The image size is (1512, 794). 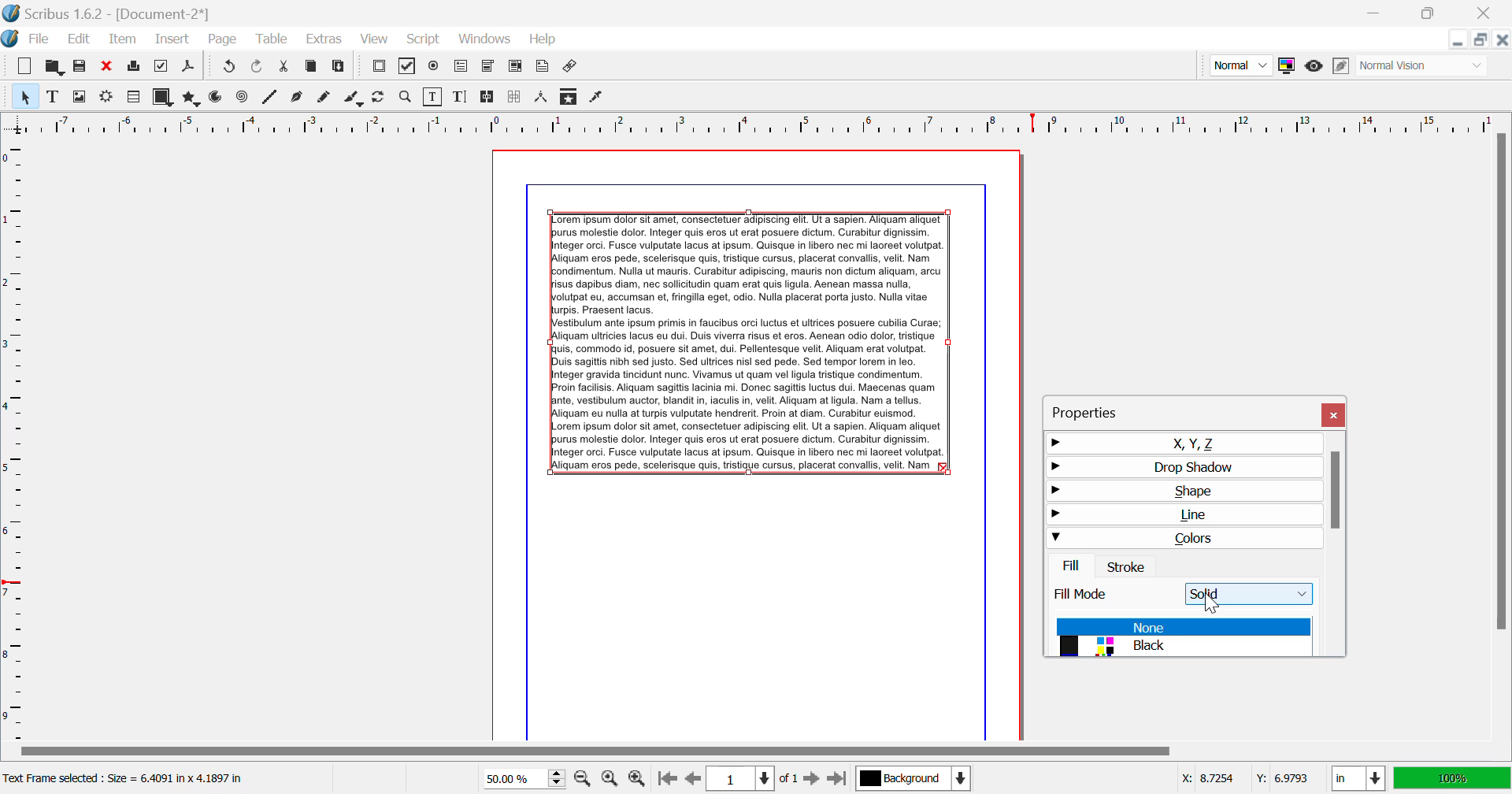 I want to click on Spiral, so click(x=242, y=98).